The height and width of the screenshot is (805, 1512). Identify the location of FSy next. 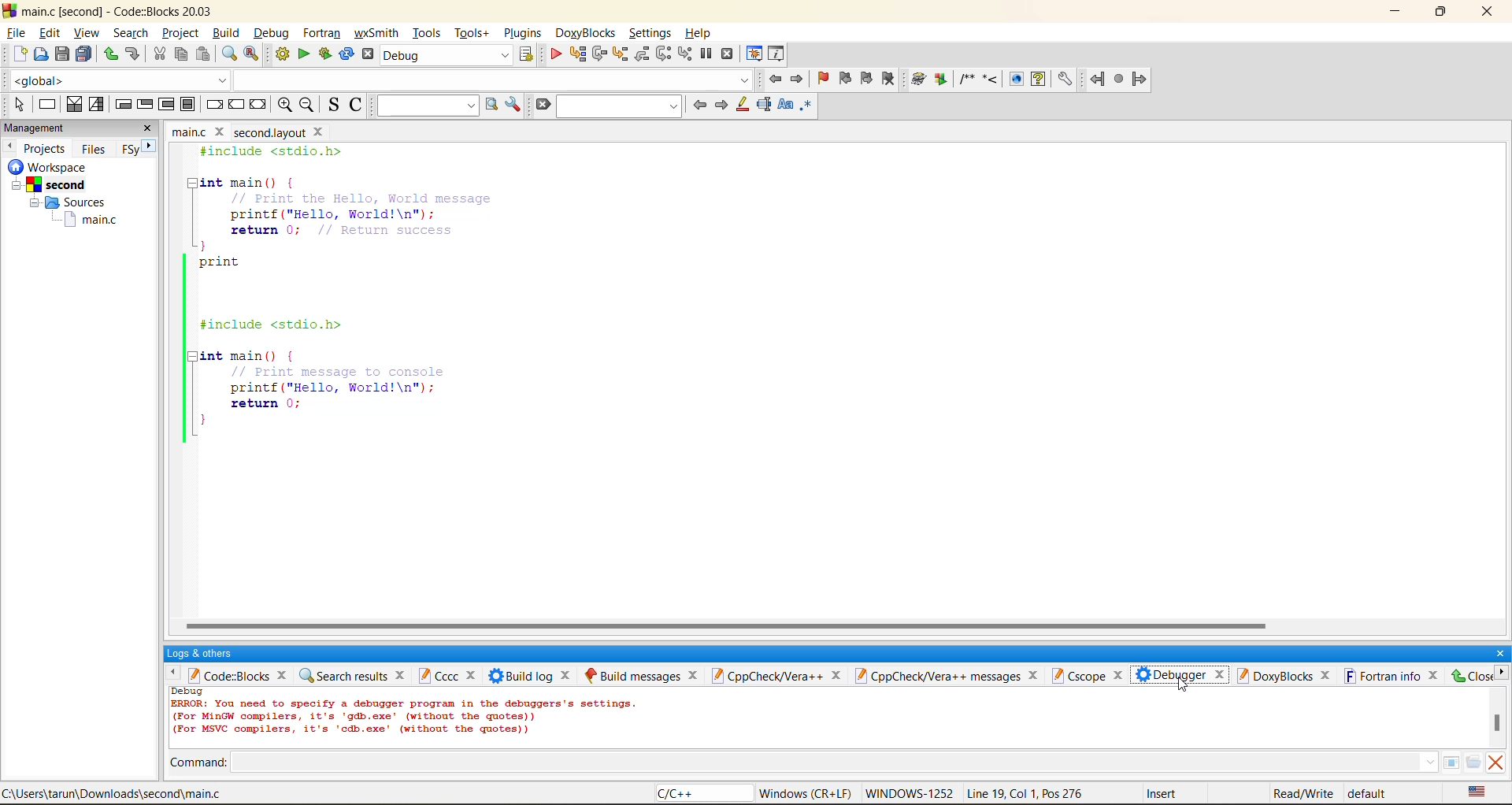
(138, 148).